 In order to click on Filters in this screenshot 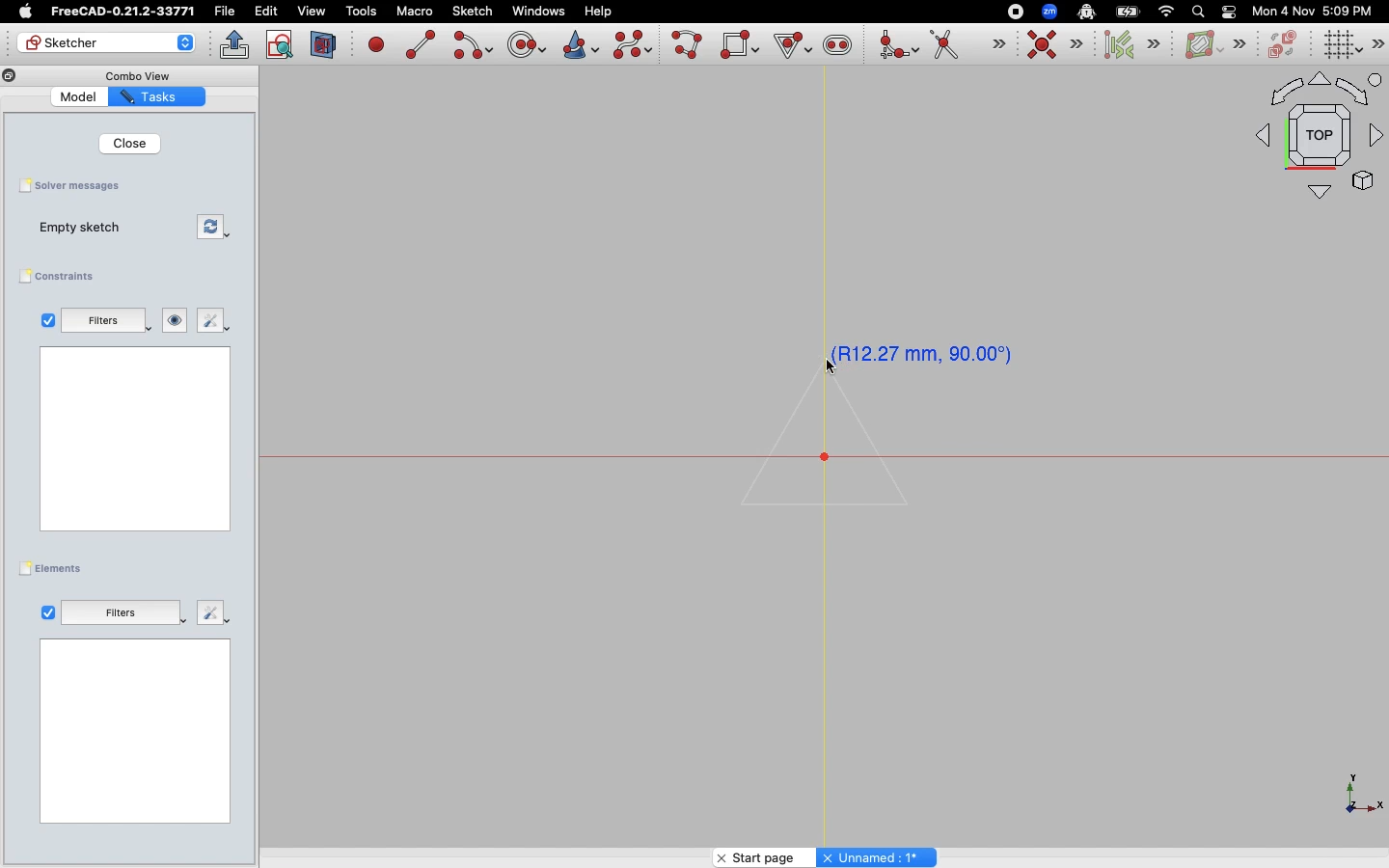, I will do `click(123, 610)`.